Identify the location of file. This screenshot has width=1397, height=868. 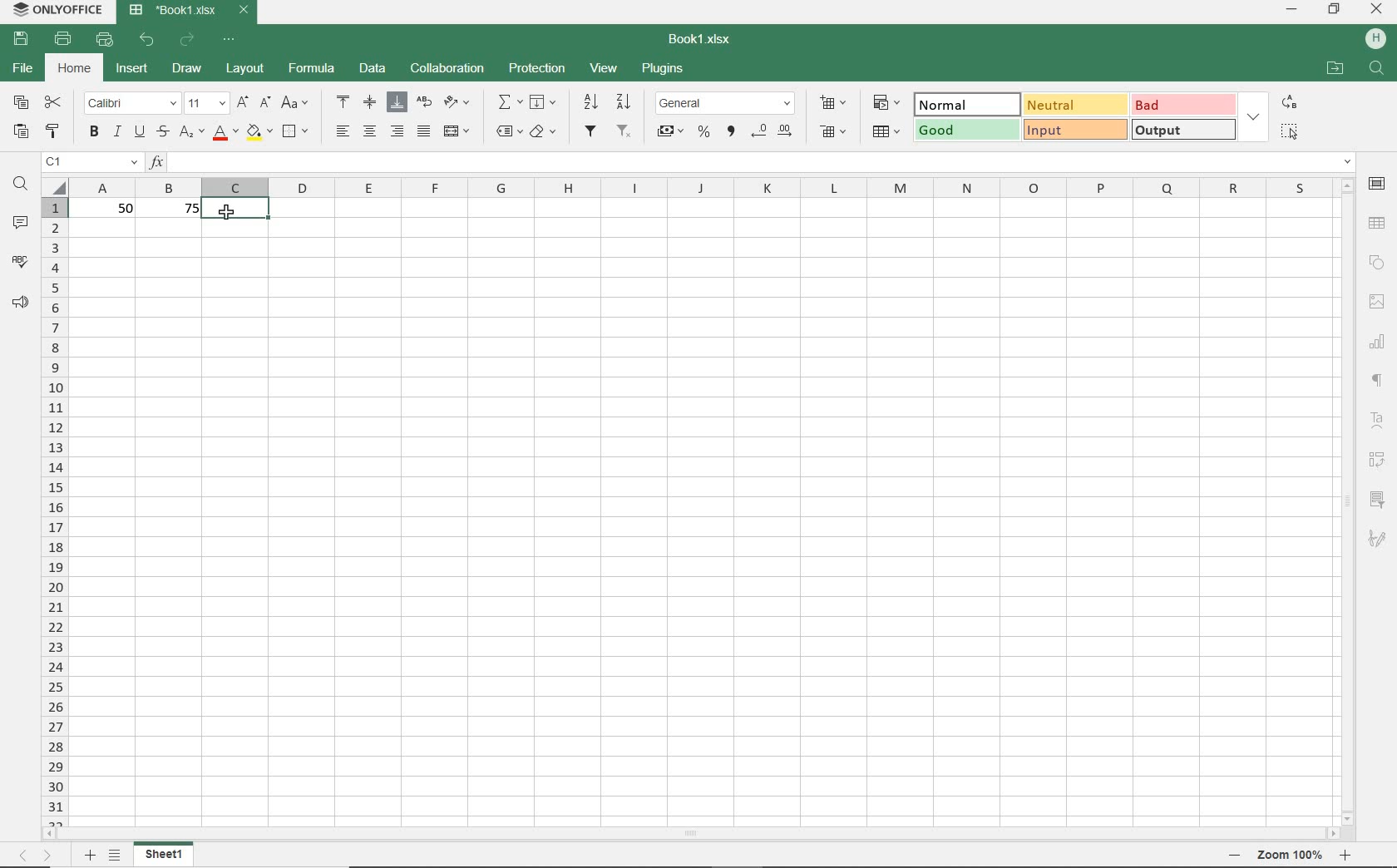
(21, 70).